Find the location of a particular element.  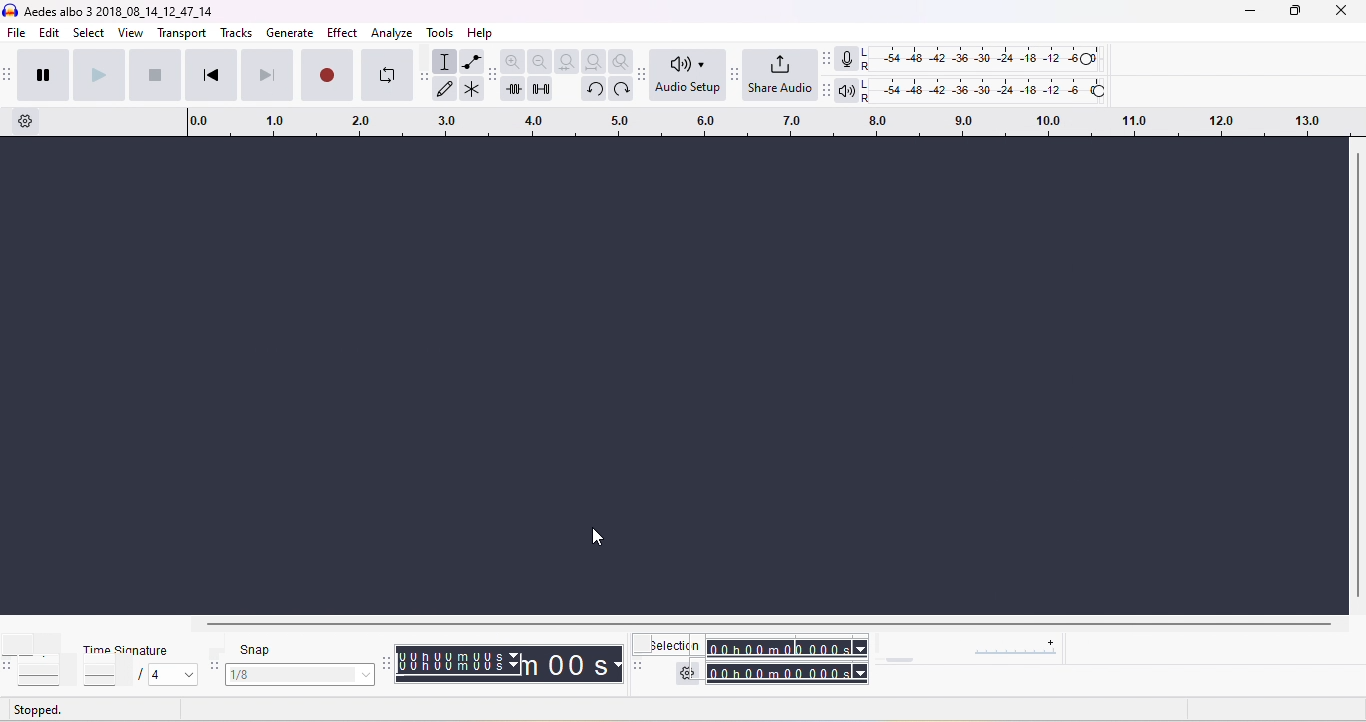

recording level is located at coordinates (989, 59).